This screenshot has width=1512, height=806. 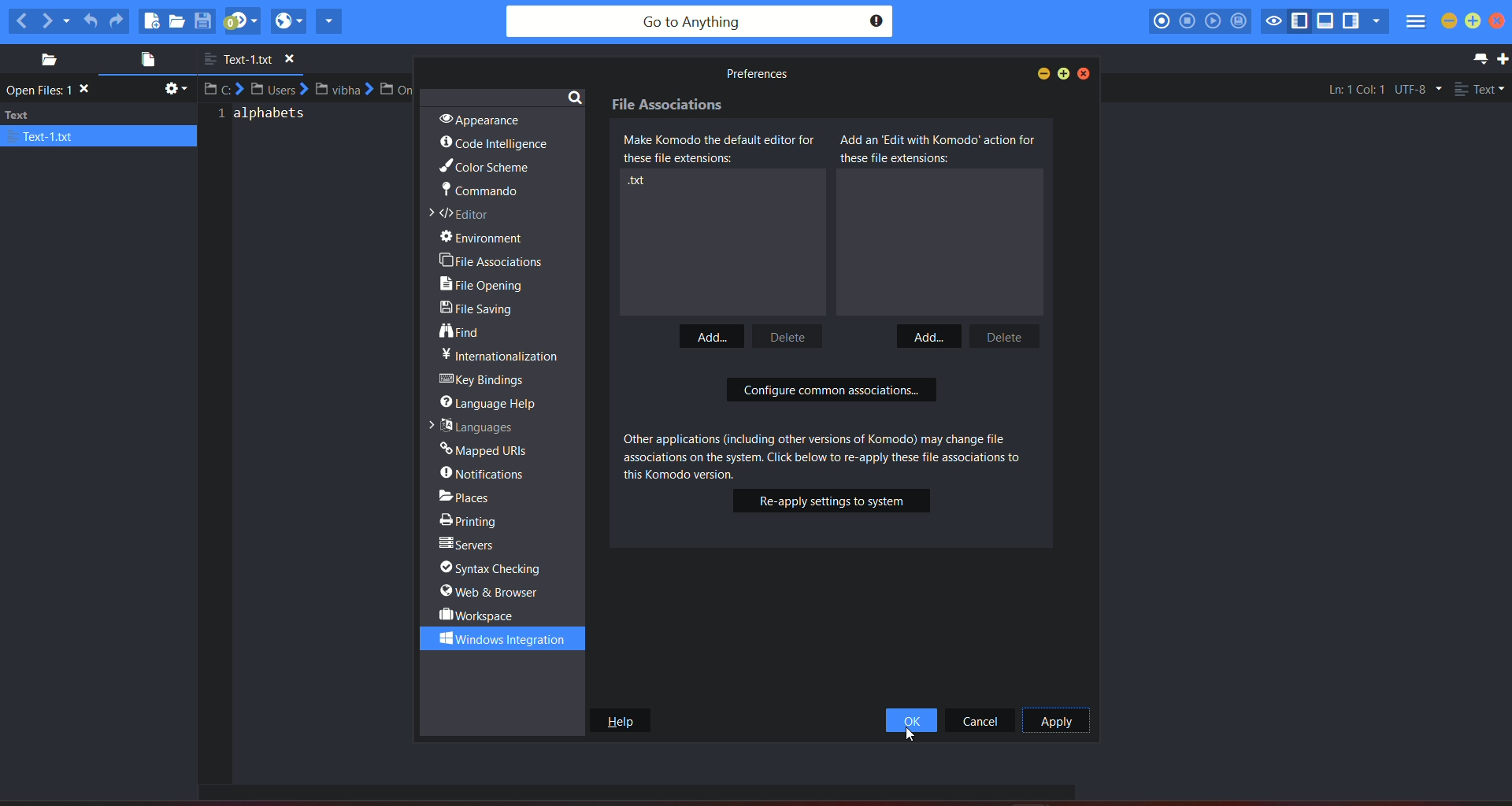 I want to click on next, so click(x=56, y=20).